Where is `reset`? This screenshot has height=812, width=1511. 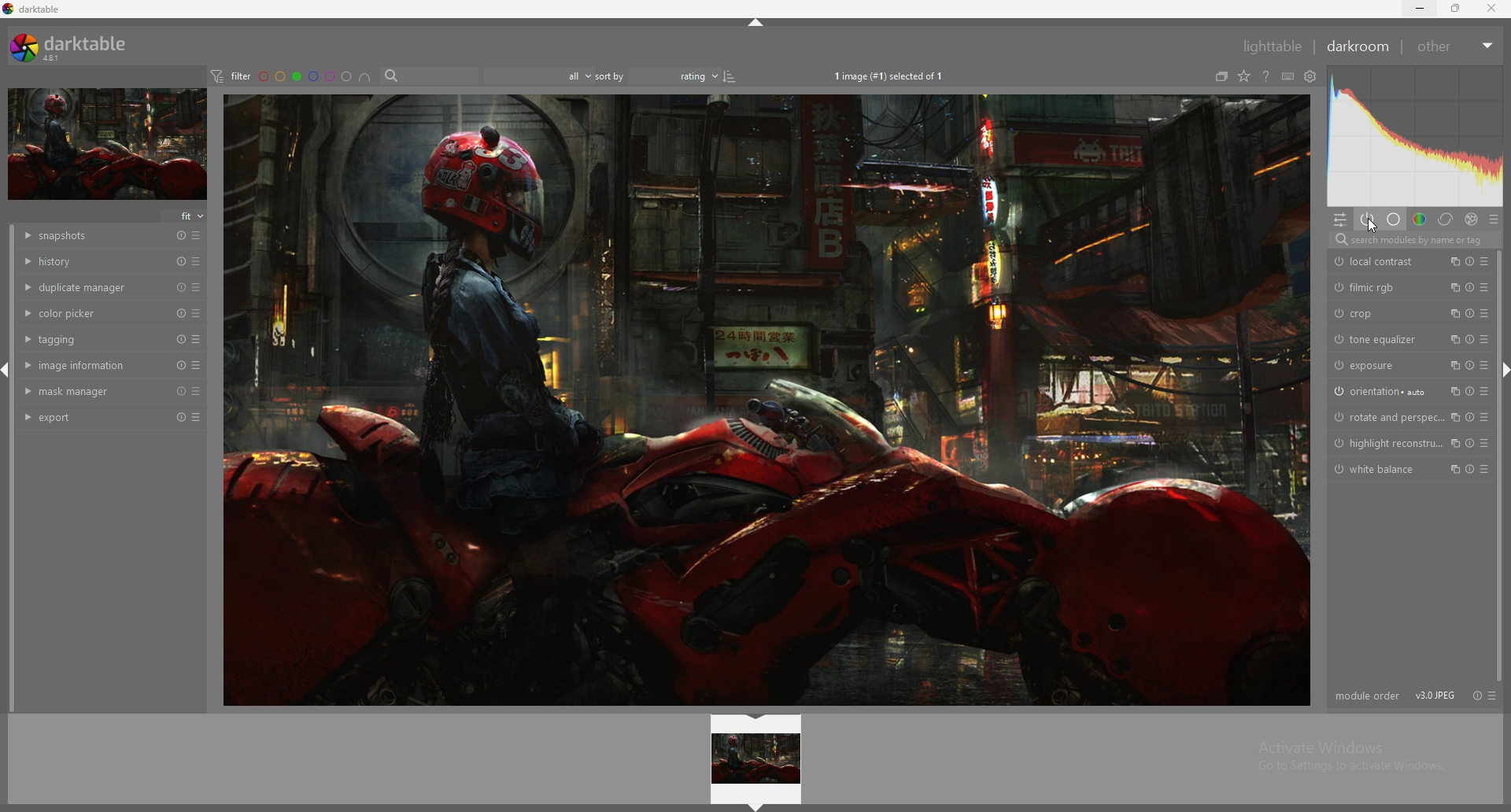
reset is located at coordinates (1470, 288).